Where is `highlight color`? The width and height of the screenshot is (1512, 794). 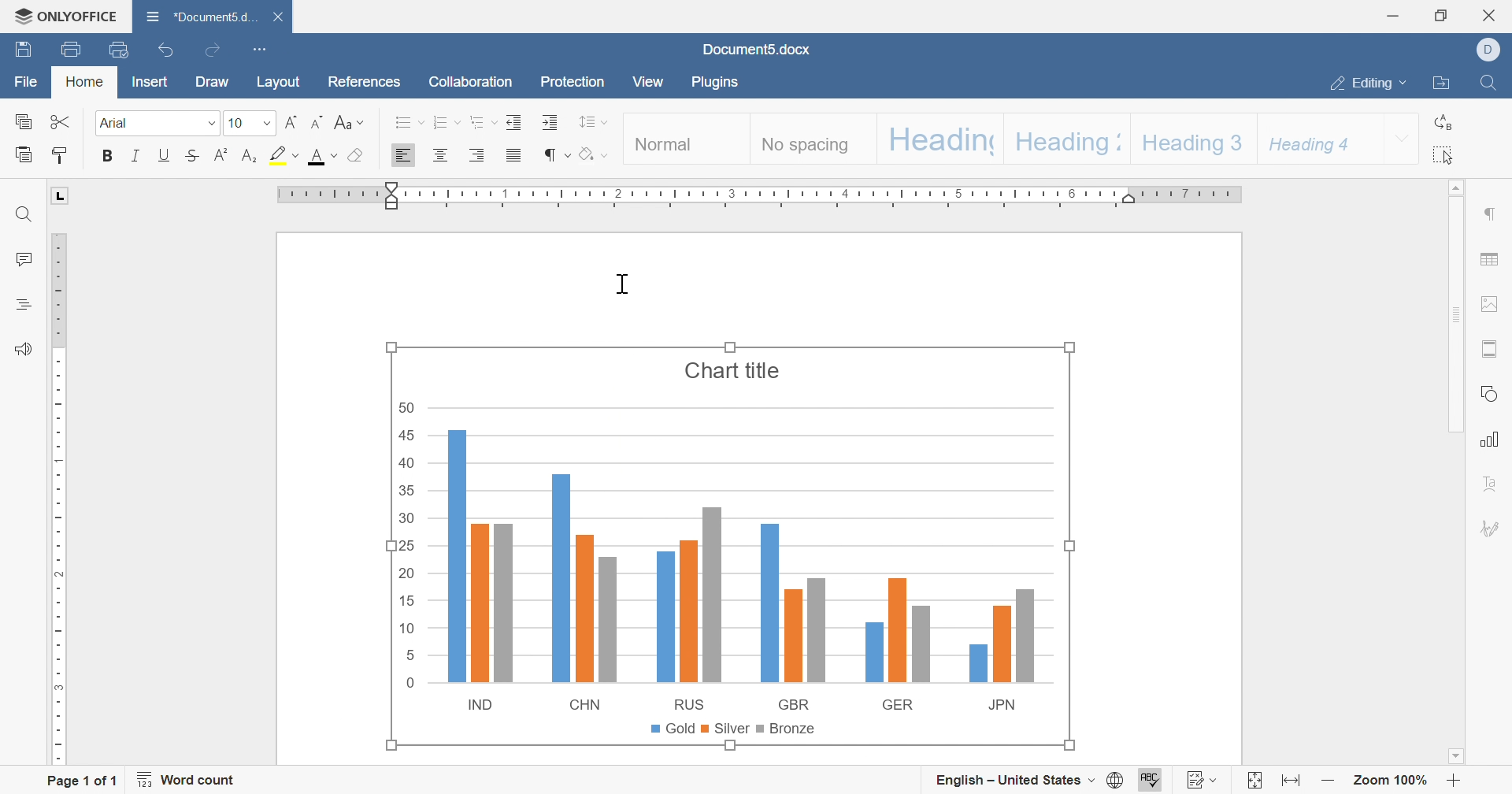 highlight color is located at coordinates (283, 154).